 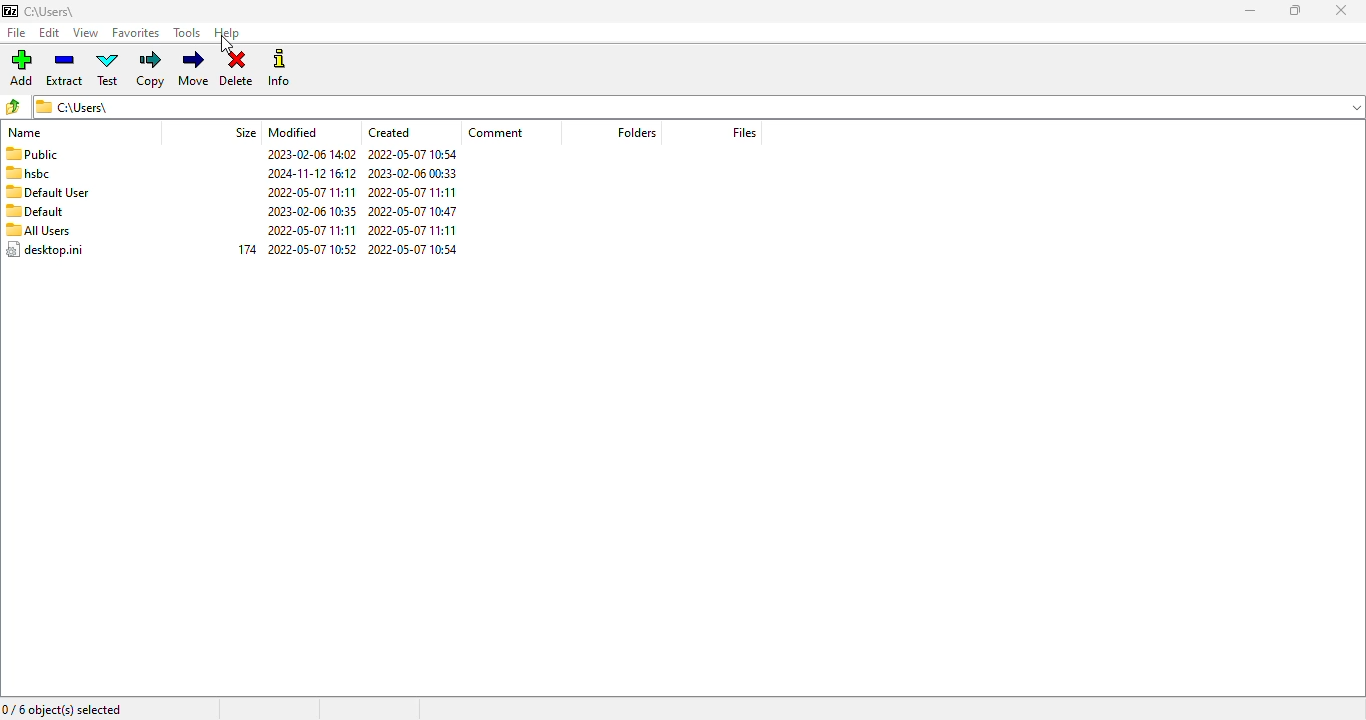 What do you see at coordinates (226, 46) in the screenshot?
I see `cursor` at bounding box center [226, 46].